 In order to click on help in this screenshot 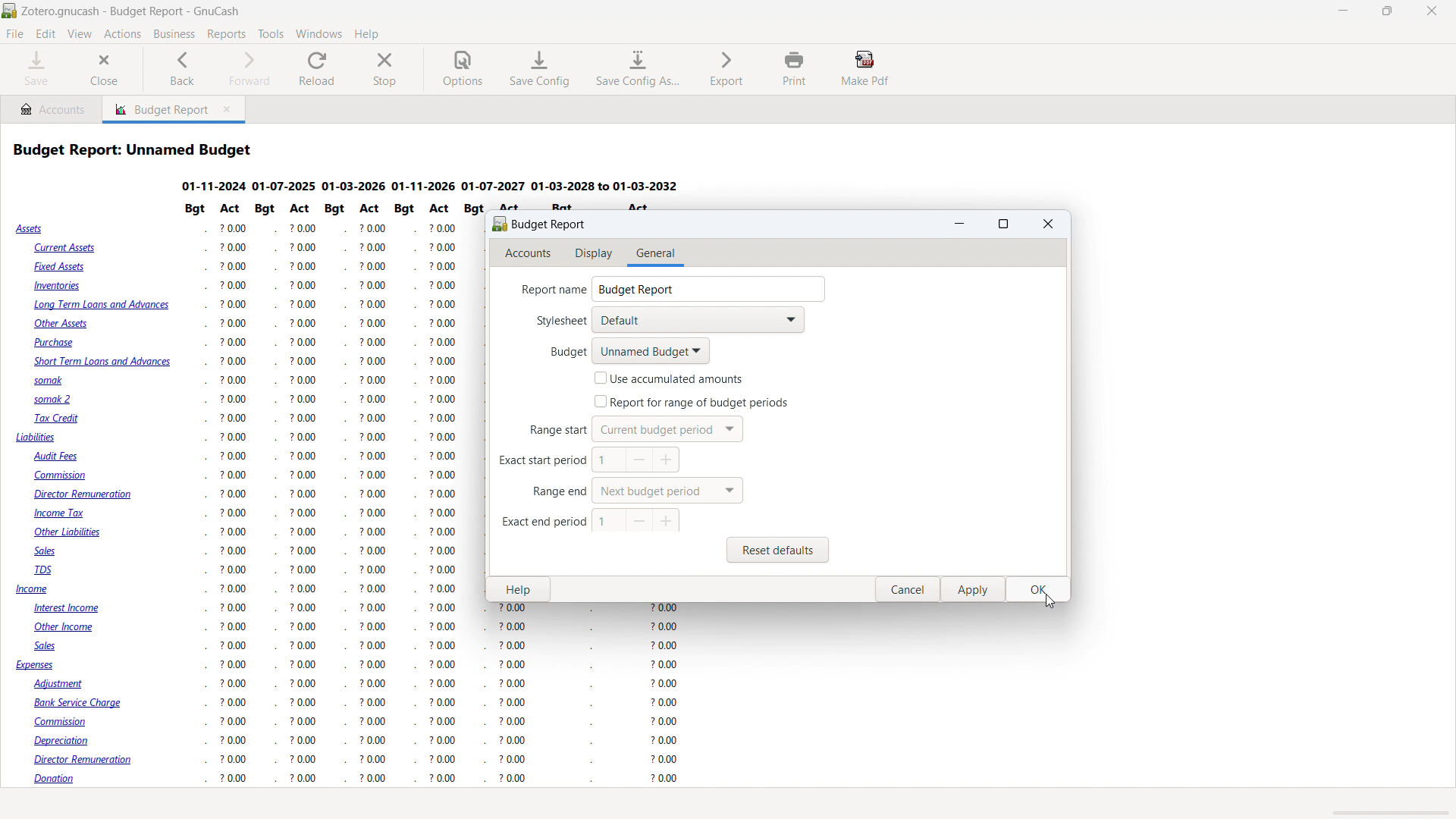, I will do `click(518, 590)`.